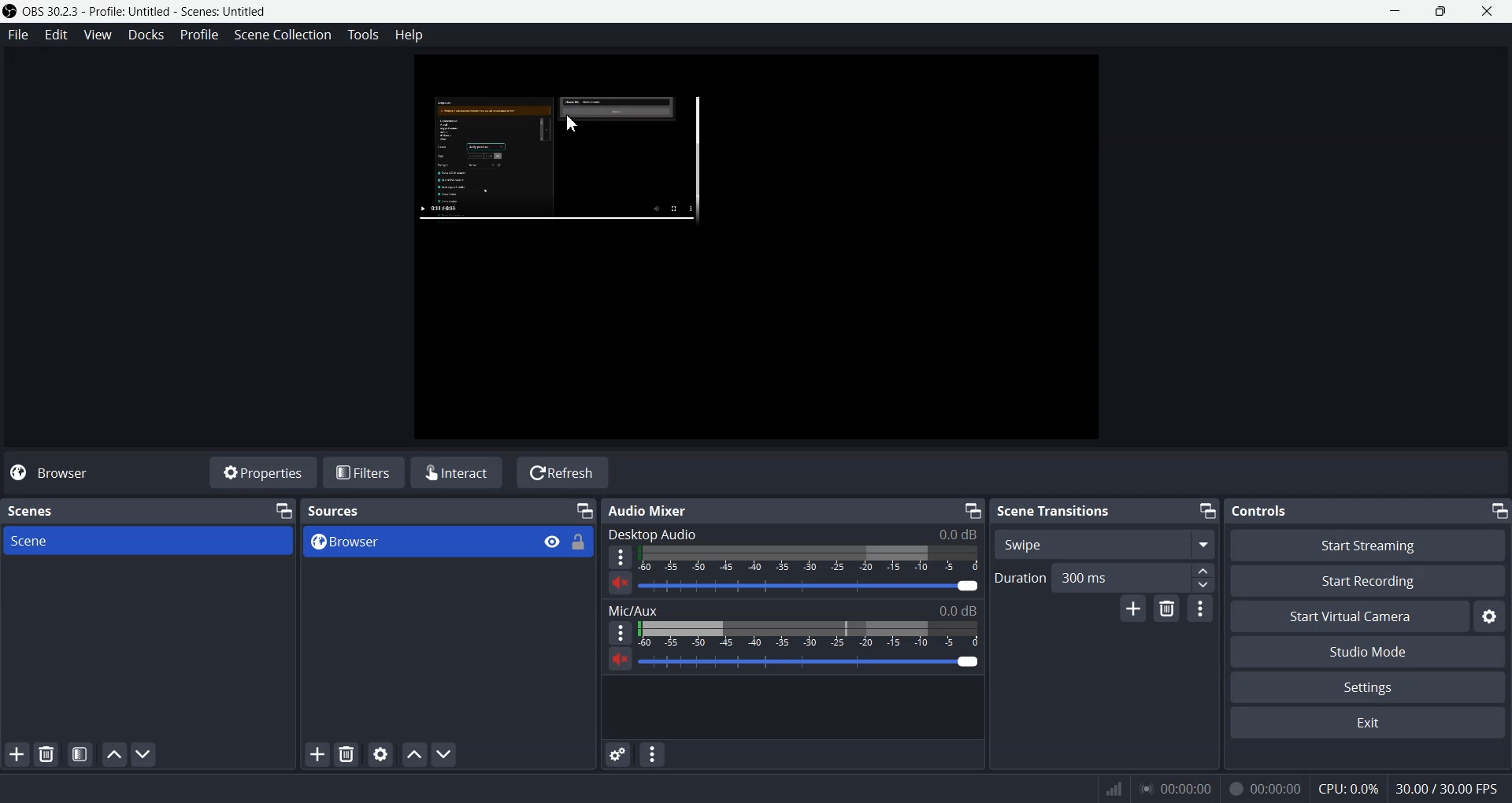  Describe the element at coordinates (1345, 787) in the screenshot. I see `CPU: 0.0%` at that location.